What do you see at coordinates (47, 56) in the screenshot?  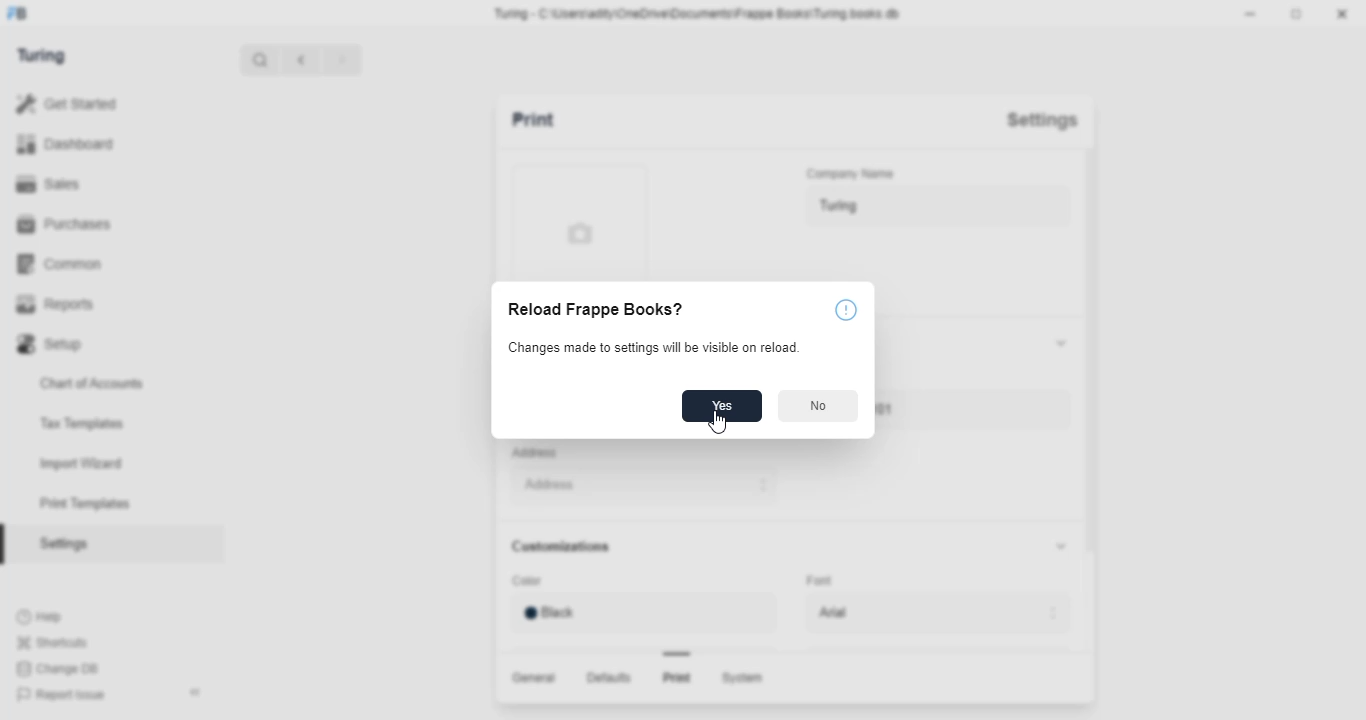 I see `Turing` at bounding box center [47, 56].